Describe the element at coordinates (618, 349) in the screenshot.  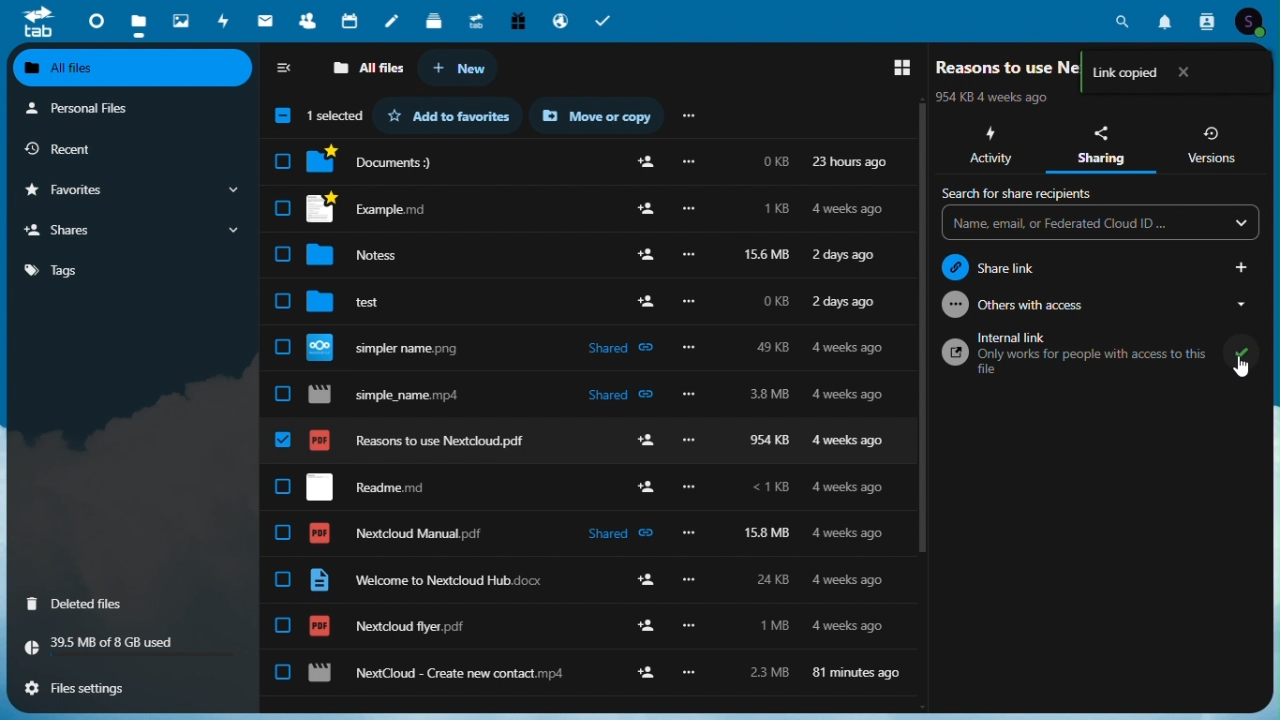
I see `shared` at that location.